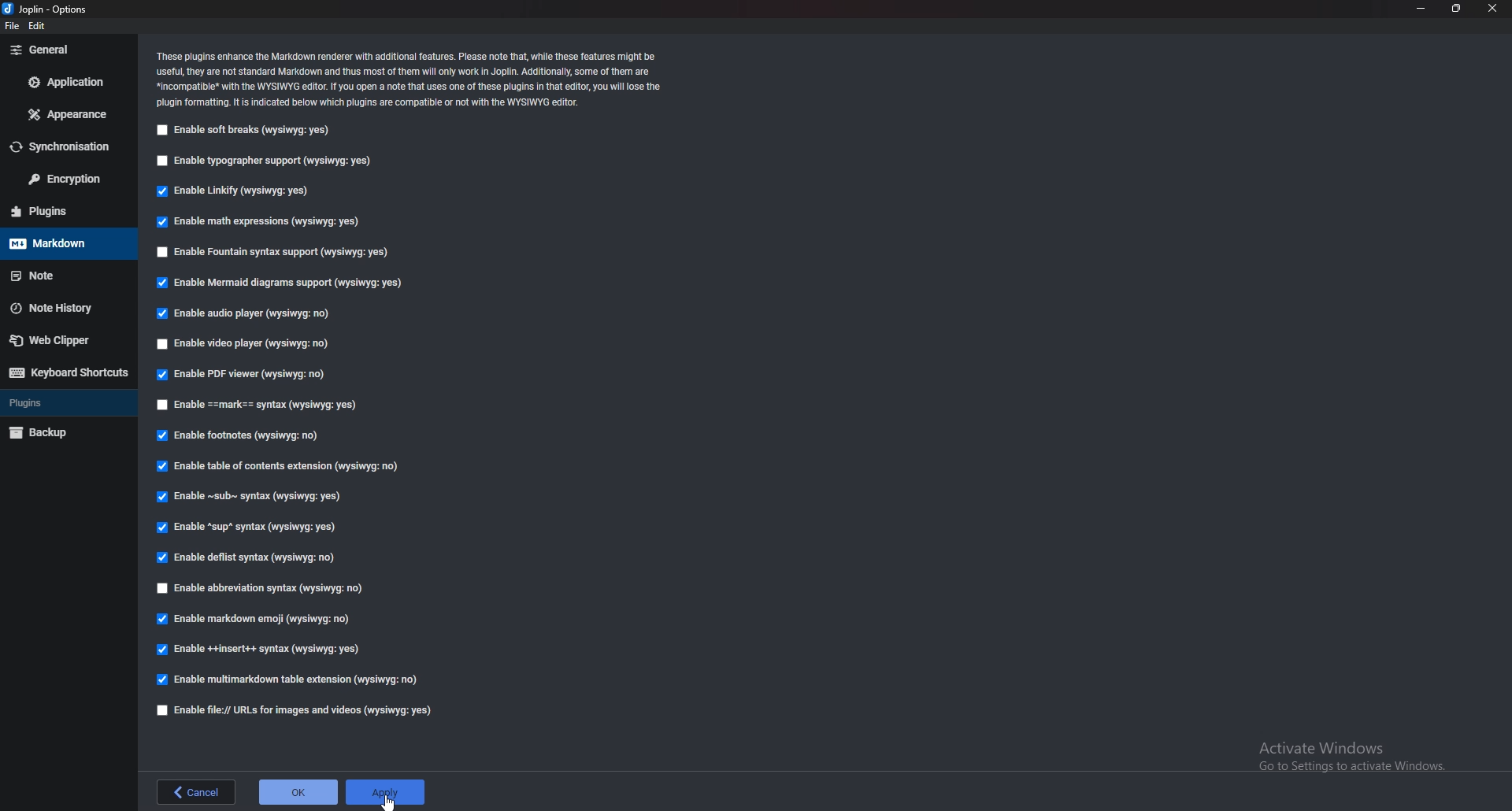  What do you see at coordinates (197, 792) in the screenshot?
I see `back` at bounding box center [197, 792].